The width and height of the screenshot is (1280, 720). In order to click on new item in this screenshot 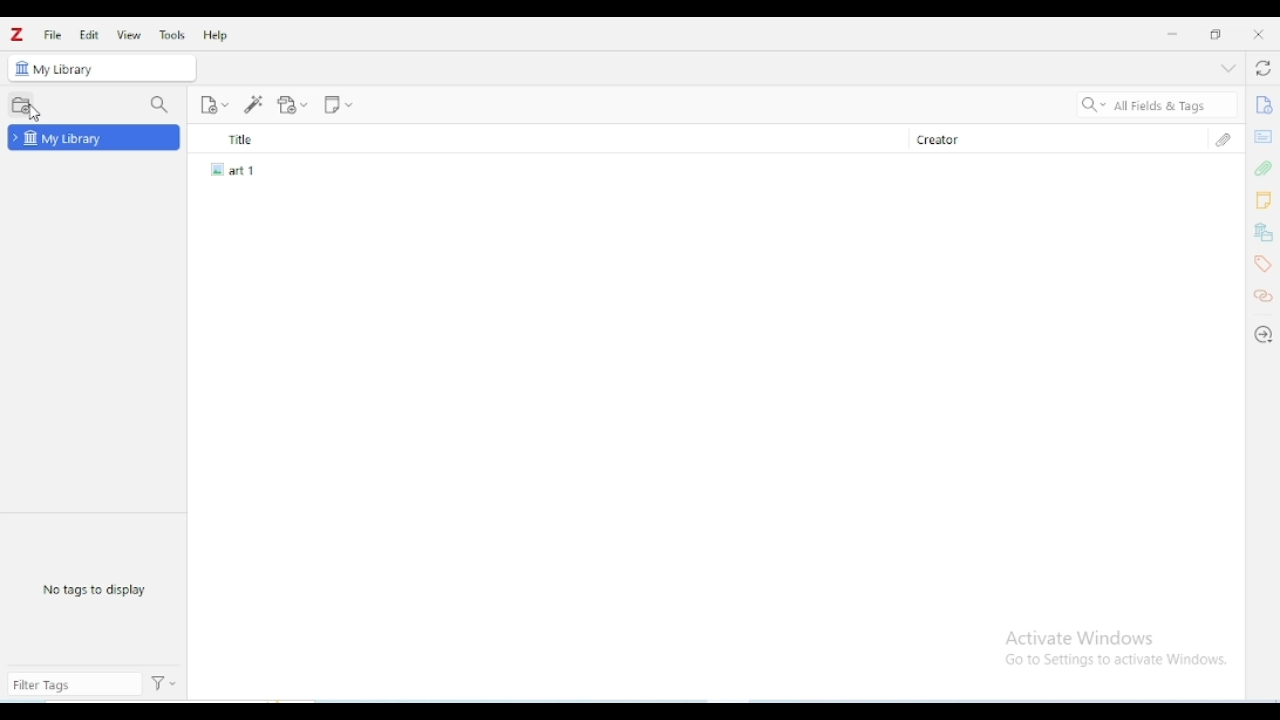, I will do `click(214, 104)`.